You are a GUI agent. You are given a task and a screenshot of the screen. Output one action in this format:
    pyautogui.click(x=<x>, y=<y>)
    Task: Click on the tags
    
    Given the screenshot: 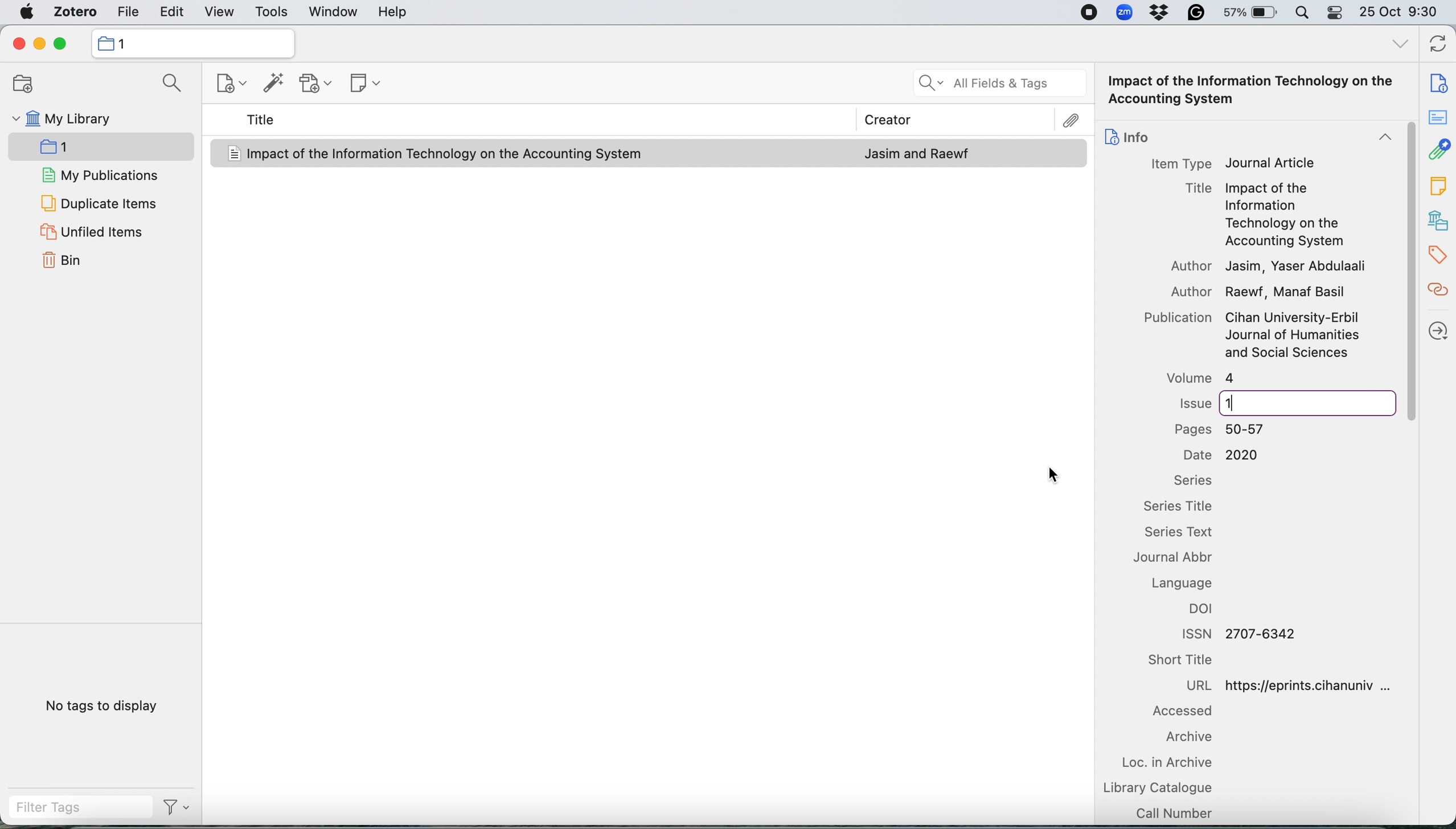 What is the action you would take?
    pyautogui.click(x=1436, y=187)
    